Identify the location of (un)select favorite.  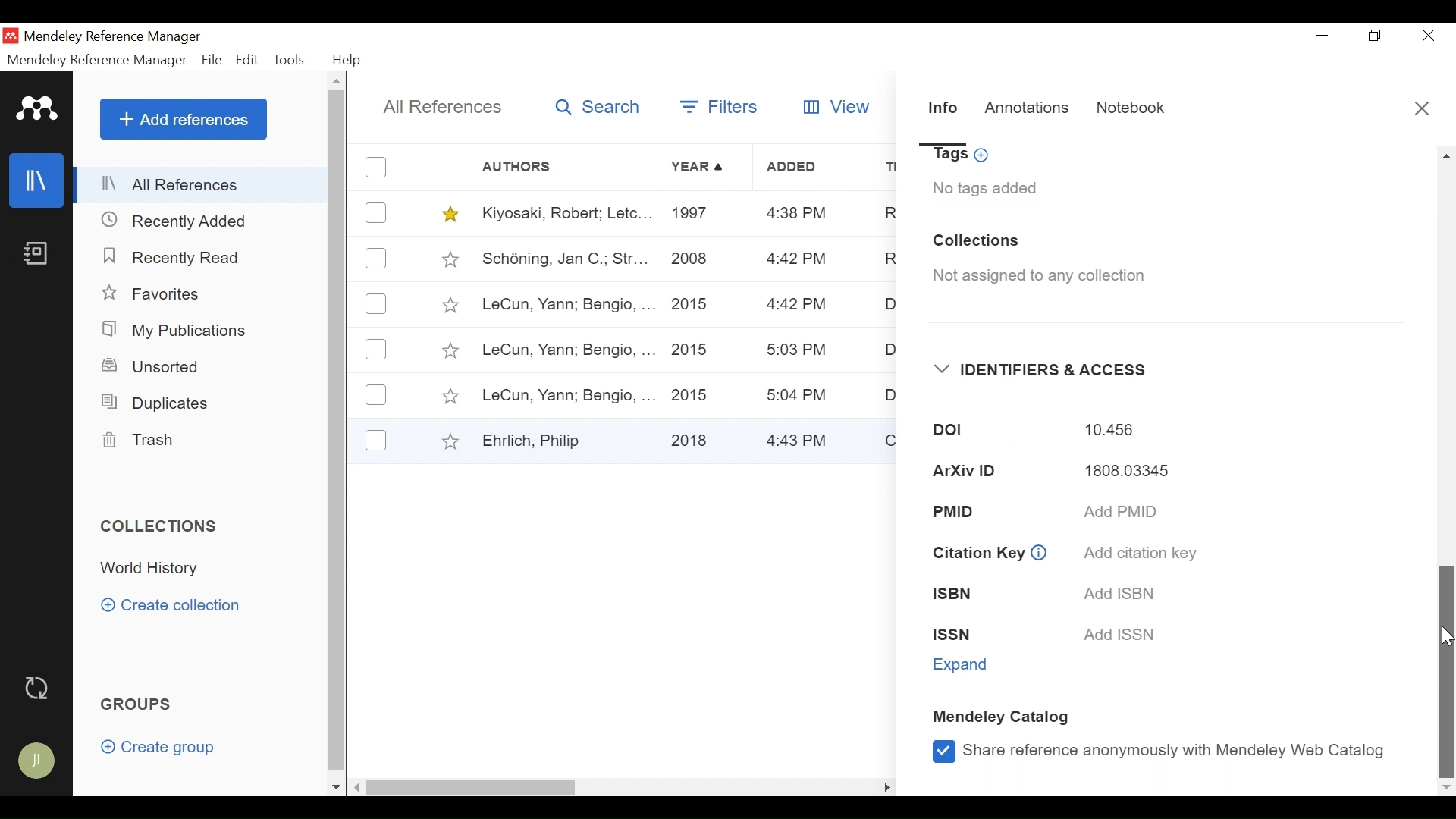
(449, 397).